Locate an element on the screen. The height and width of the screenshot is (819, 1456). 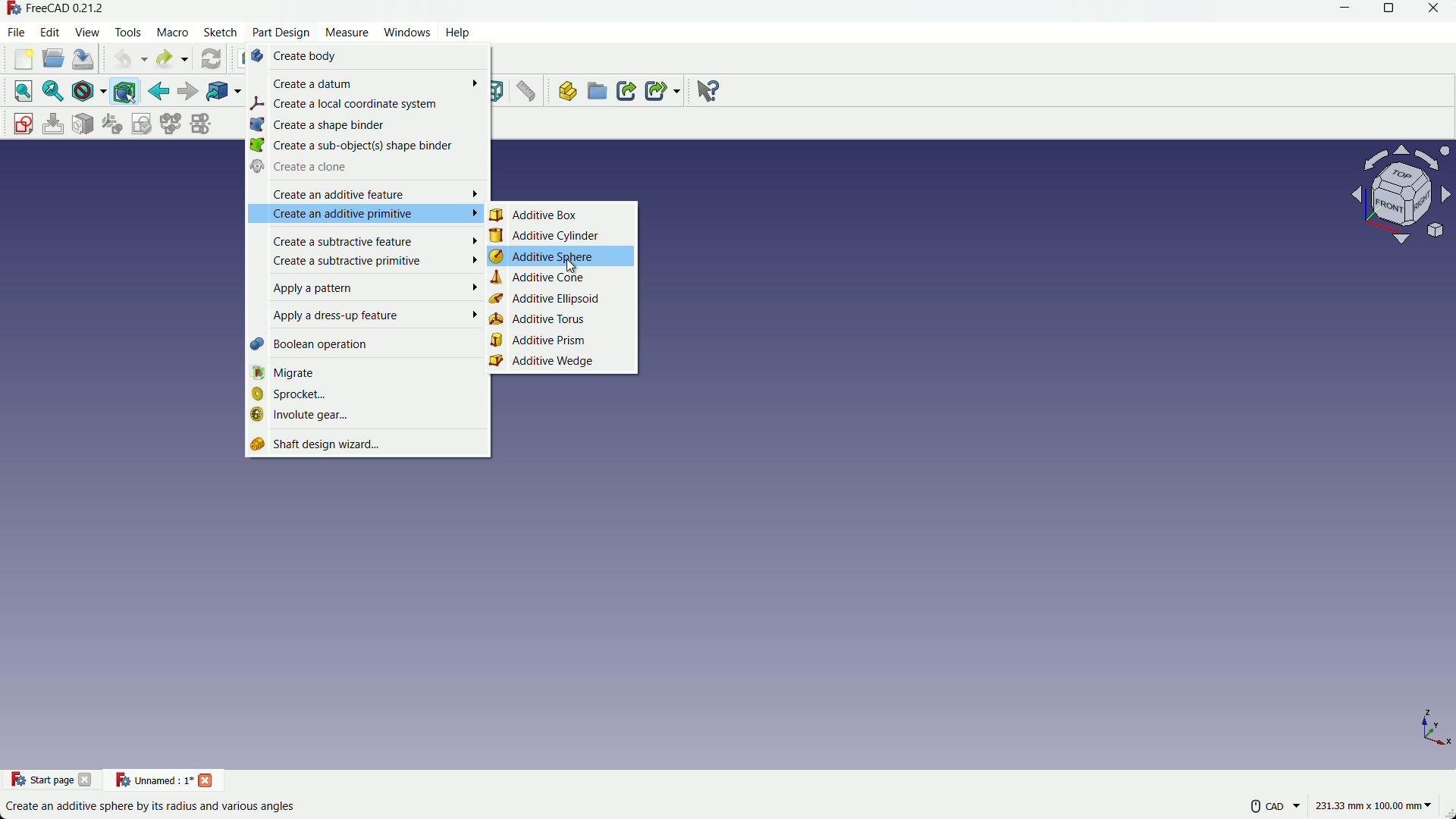
back is located at coordinates (158, 91).